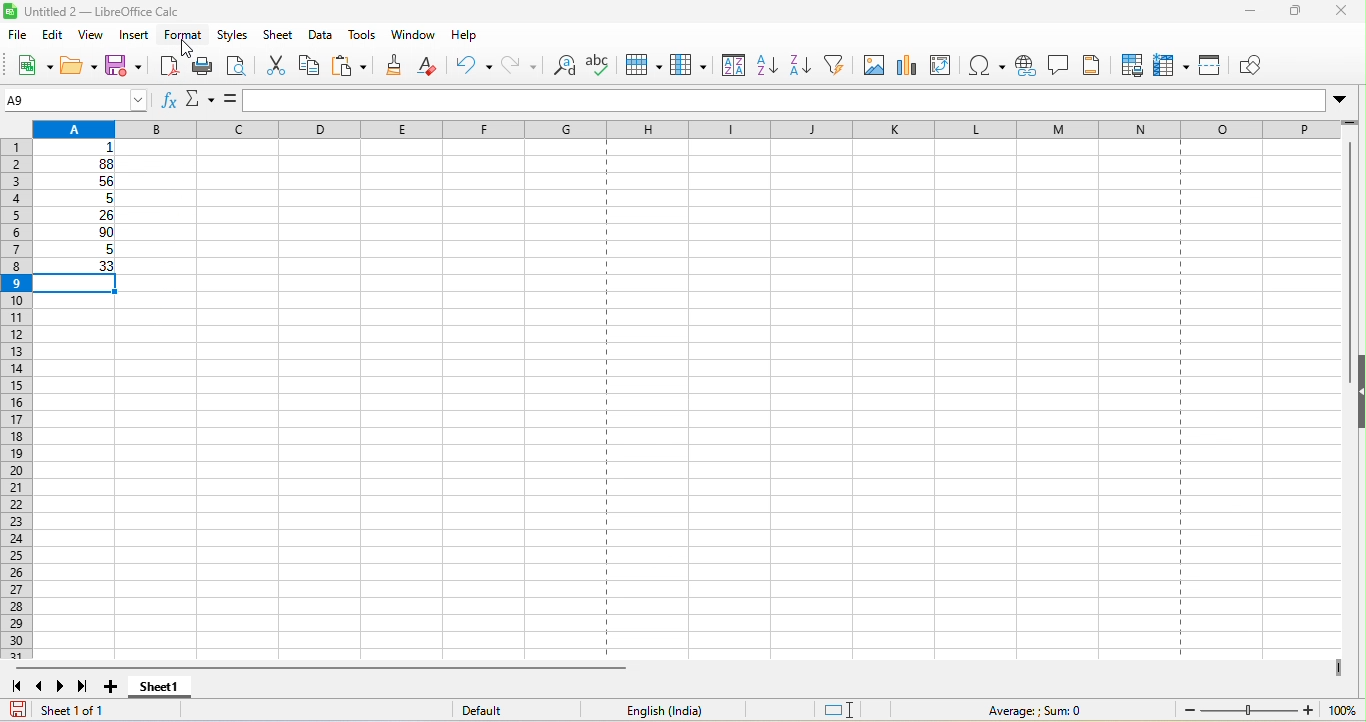 This screenshot has width=1366, height=722. What do you see at coordinates (327, 670) in the screenshot?
I see `horizontal scroll bar` at bounding box center [327, 670].